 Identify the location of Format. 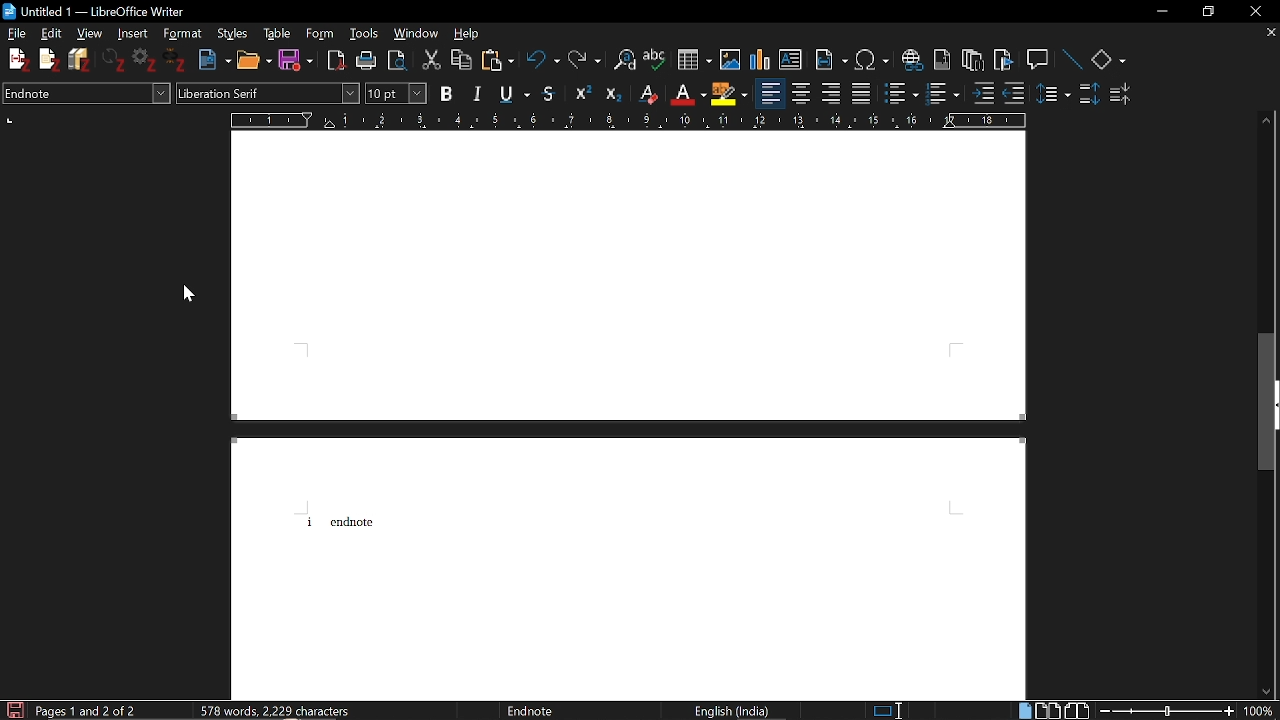
(182, 33).